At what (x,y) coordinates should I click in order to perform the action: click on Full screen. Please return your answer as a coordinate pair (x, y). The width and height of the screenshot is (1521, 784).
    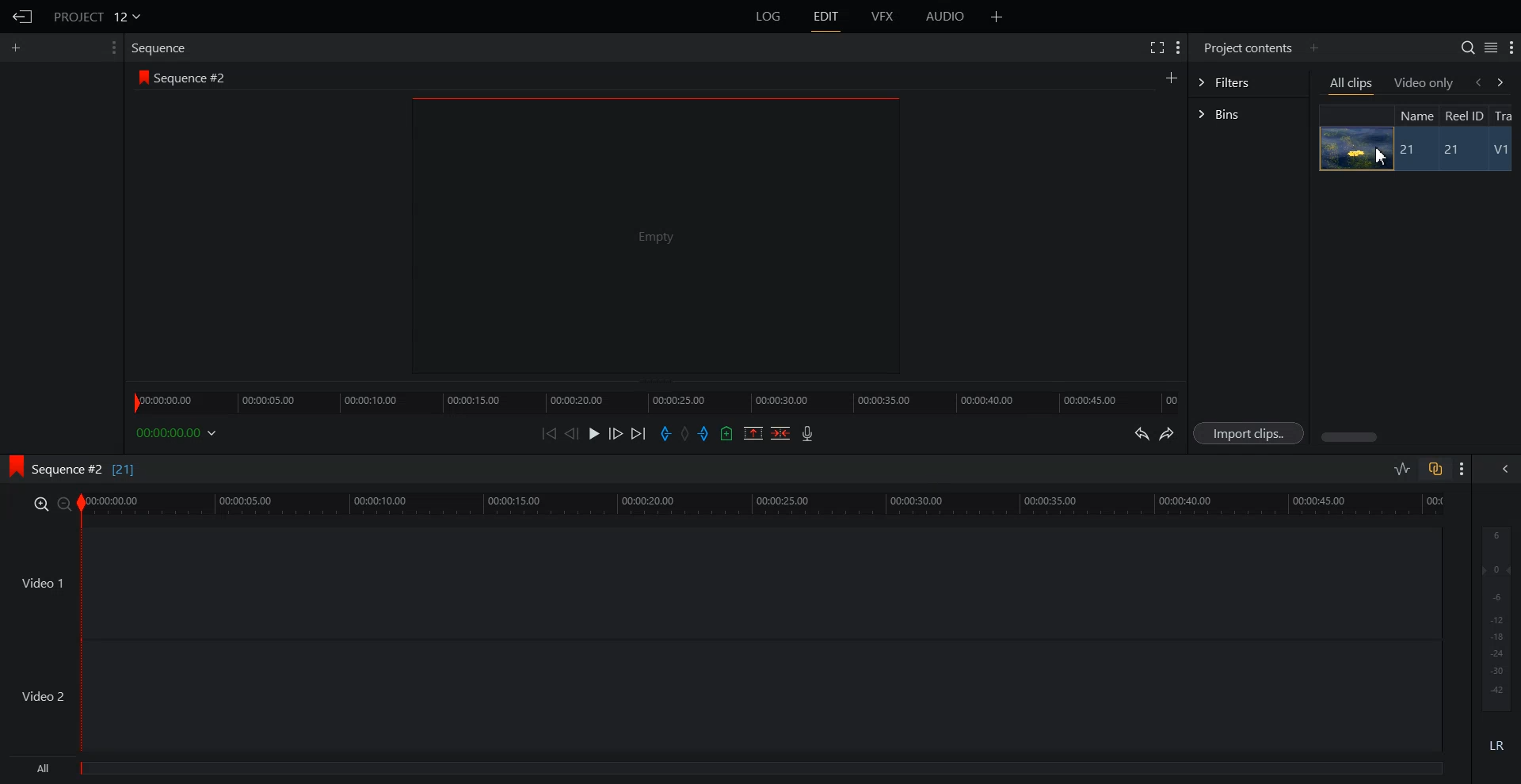
    Looking at the image, I should click on (1156, 46).